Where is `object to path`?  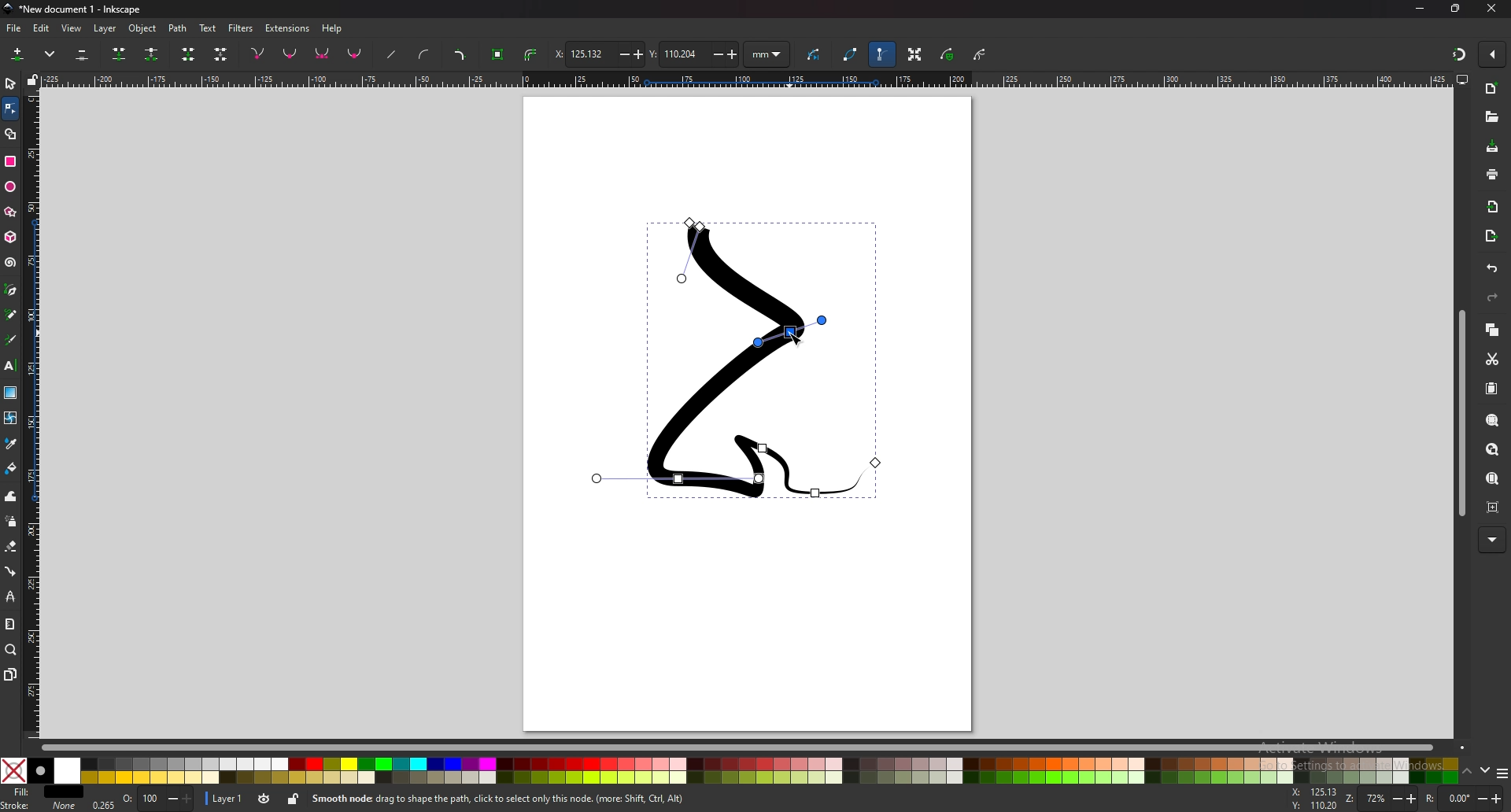
object to path is located at coordinates (500, 53).